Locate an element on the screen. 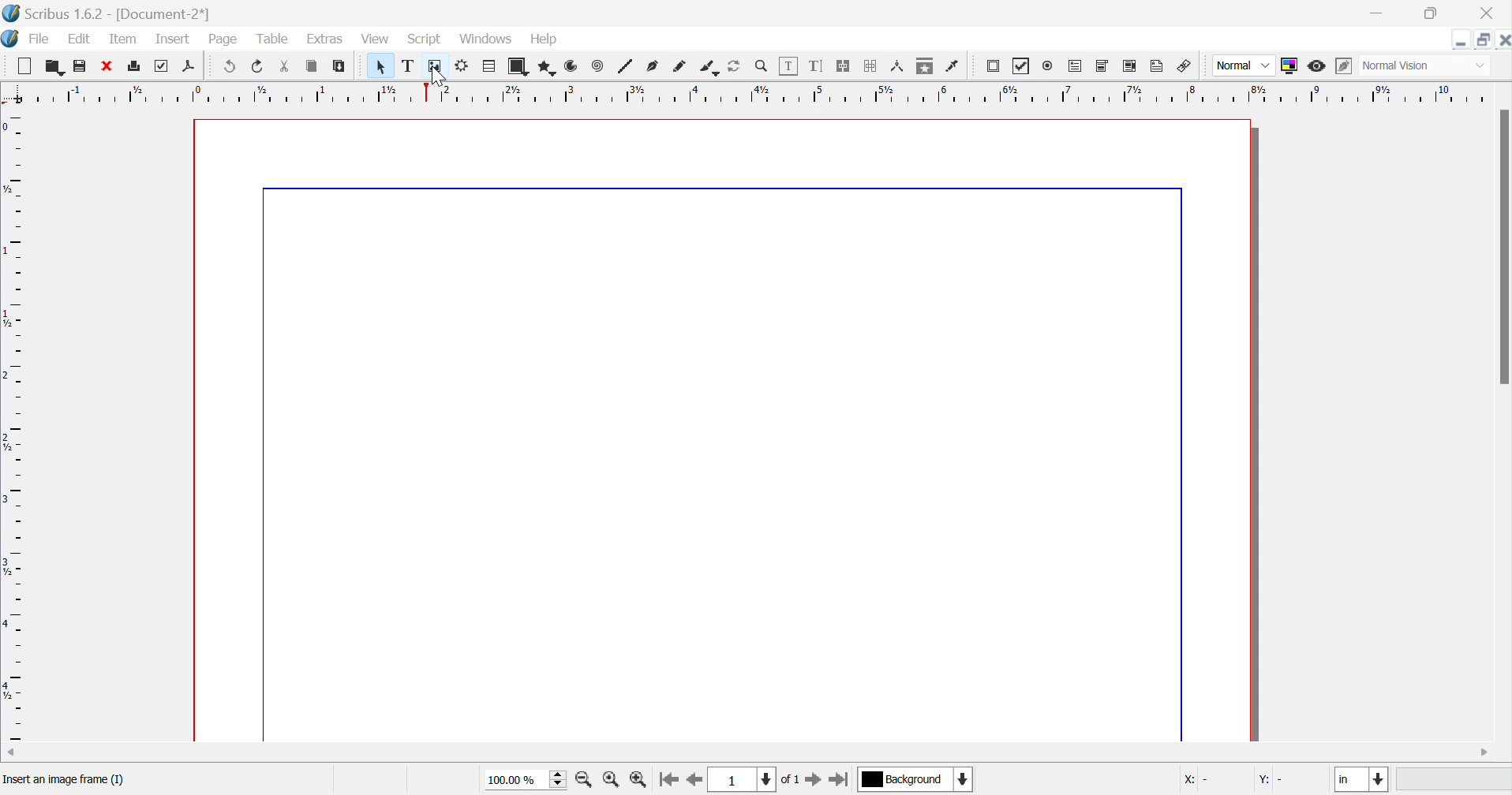 This screenshot has width=1512, height=795. restore down is located at coordinates (1480, 39).